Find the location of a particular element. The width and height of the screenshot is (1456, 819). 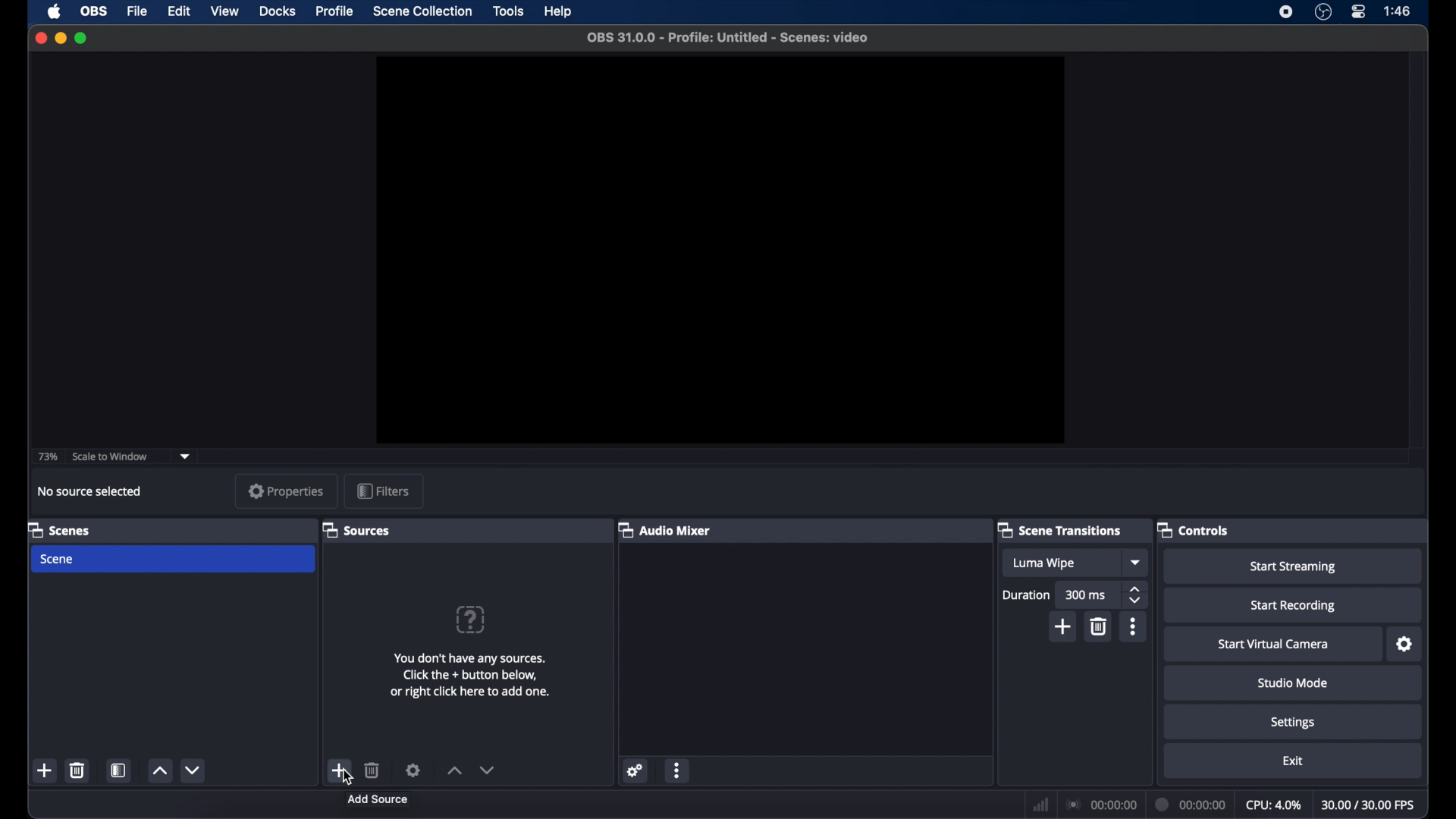

delete is located at coordinates (372, 770).